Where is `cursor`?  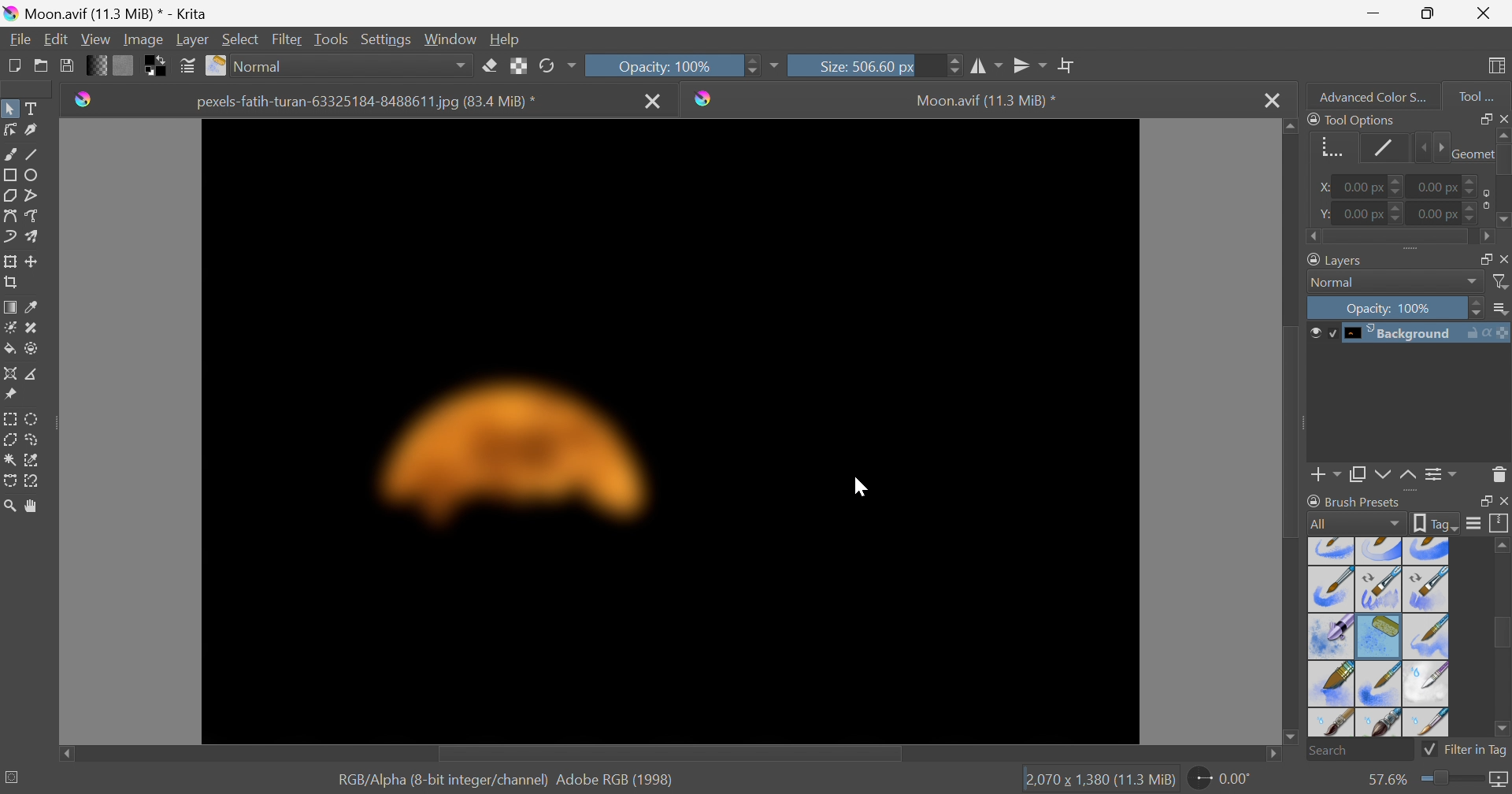 cursor is located at coordinates (863, 487).